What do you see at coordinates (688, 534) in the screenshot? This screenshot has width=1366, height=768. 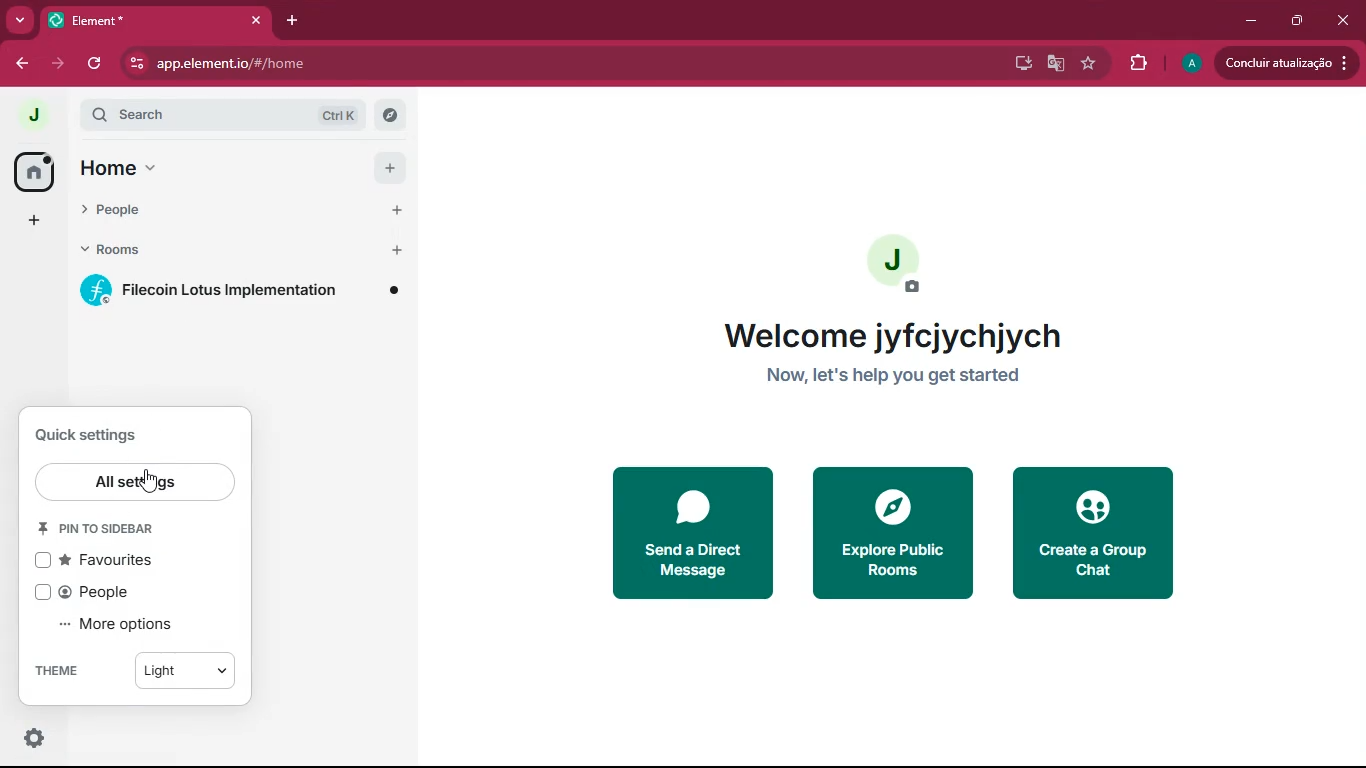 I see `send a direct message` at bounding box center [688, 534].